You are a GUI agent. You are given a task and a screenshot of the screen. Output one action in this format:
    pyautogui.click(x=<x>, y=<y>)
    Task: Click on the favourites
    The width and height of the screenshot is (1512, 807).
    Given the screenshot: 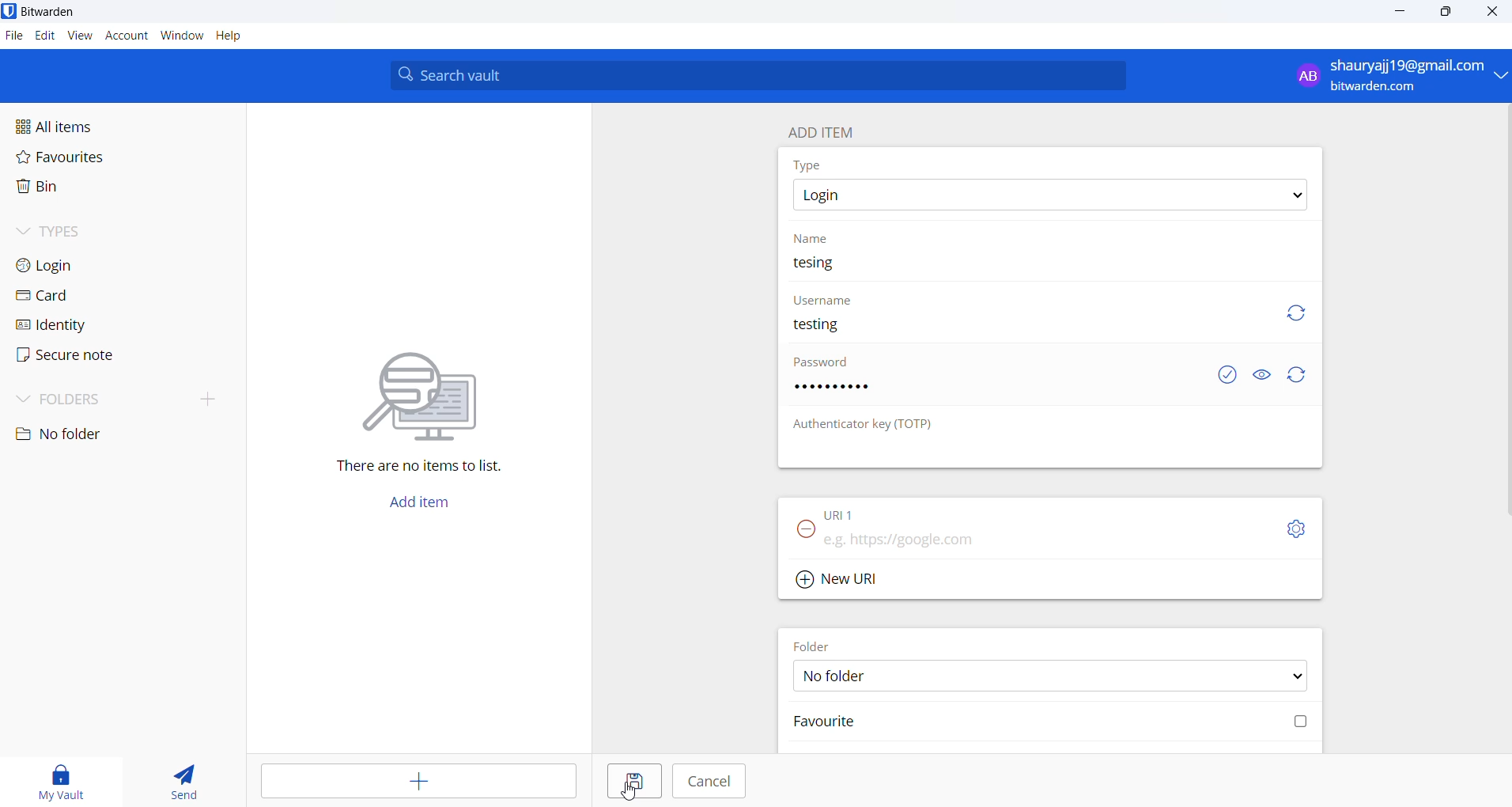 What is the action you would take?
    pyautogui.click(x=88, y=162)
    